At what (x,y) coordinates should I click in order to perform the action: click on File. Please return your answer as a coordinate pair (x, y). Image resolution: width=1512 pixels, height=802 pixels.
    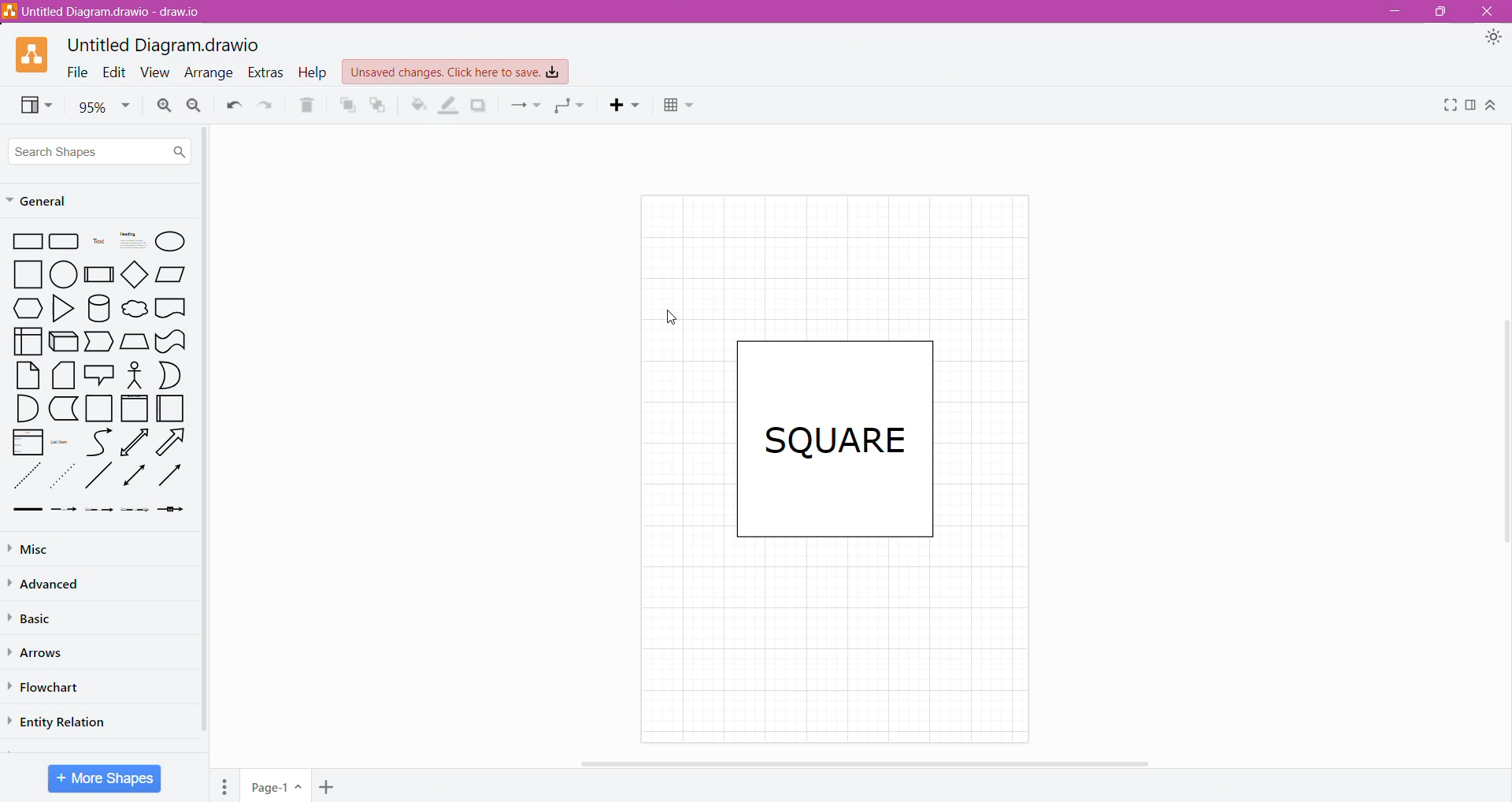
    Looking at the image, I should click on (78, 71).